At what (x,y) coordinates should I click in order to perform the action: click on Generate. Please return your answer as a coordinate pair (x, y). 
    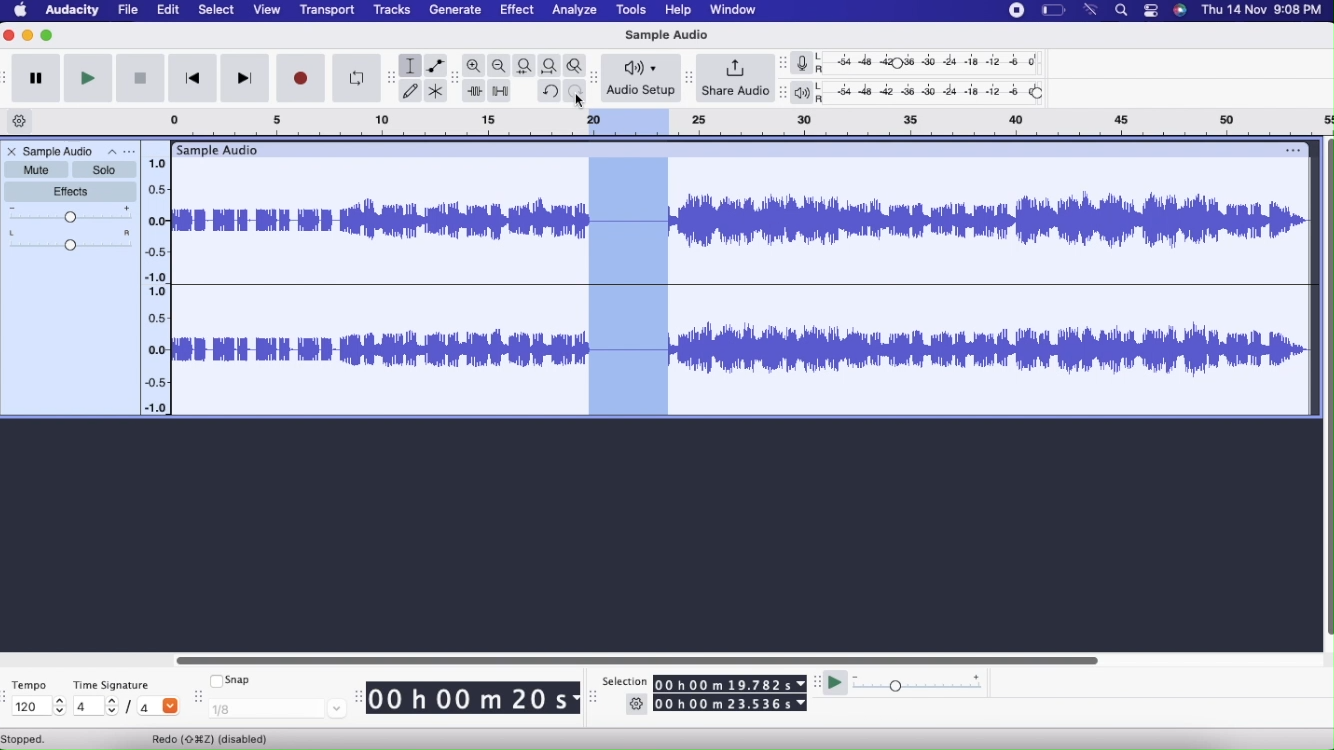
    Looking at the image, I should click on (455, 10).